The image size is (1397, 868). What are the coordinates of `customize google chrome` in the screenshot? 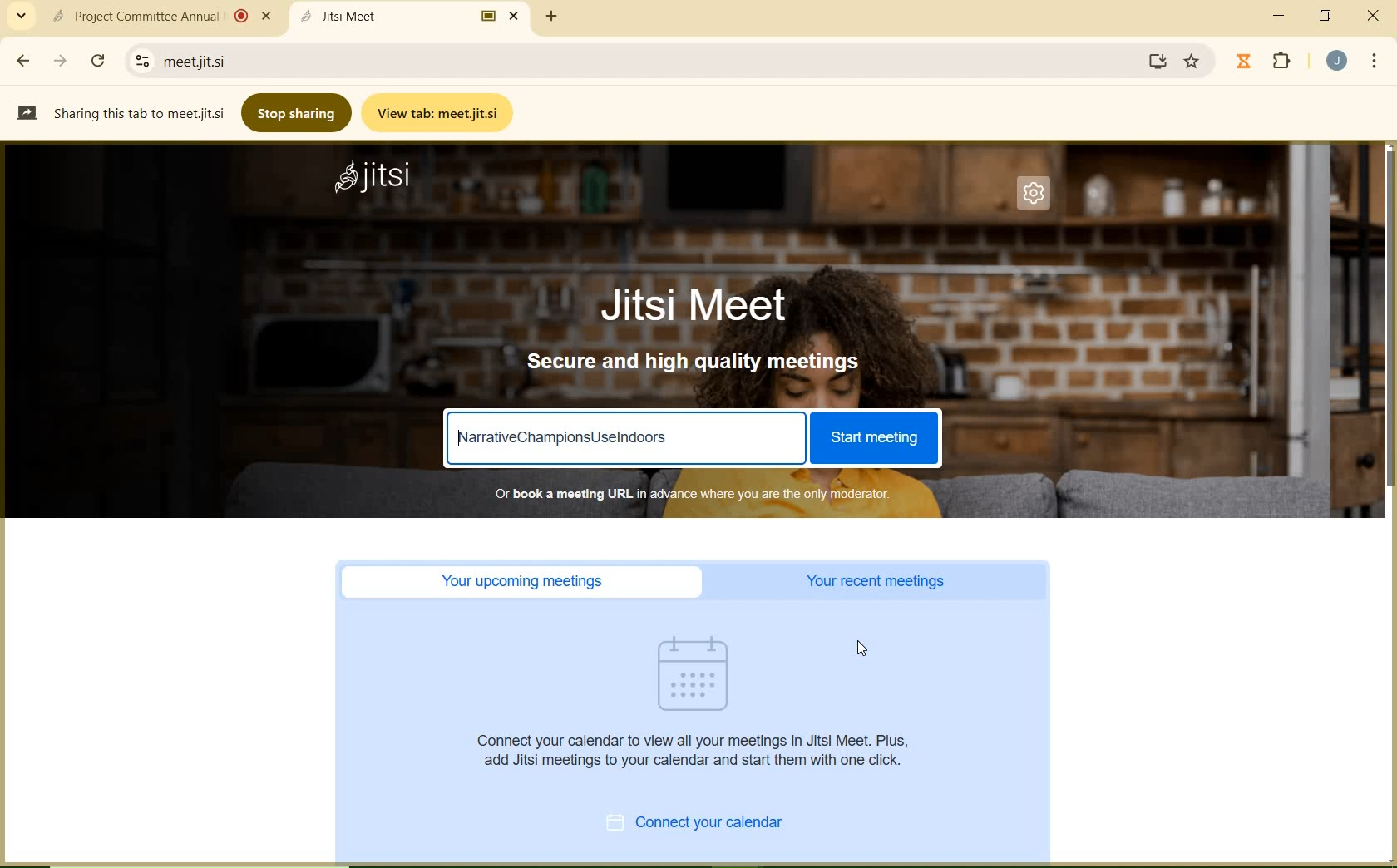 It's located at (1374, 62).